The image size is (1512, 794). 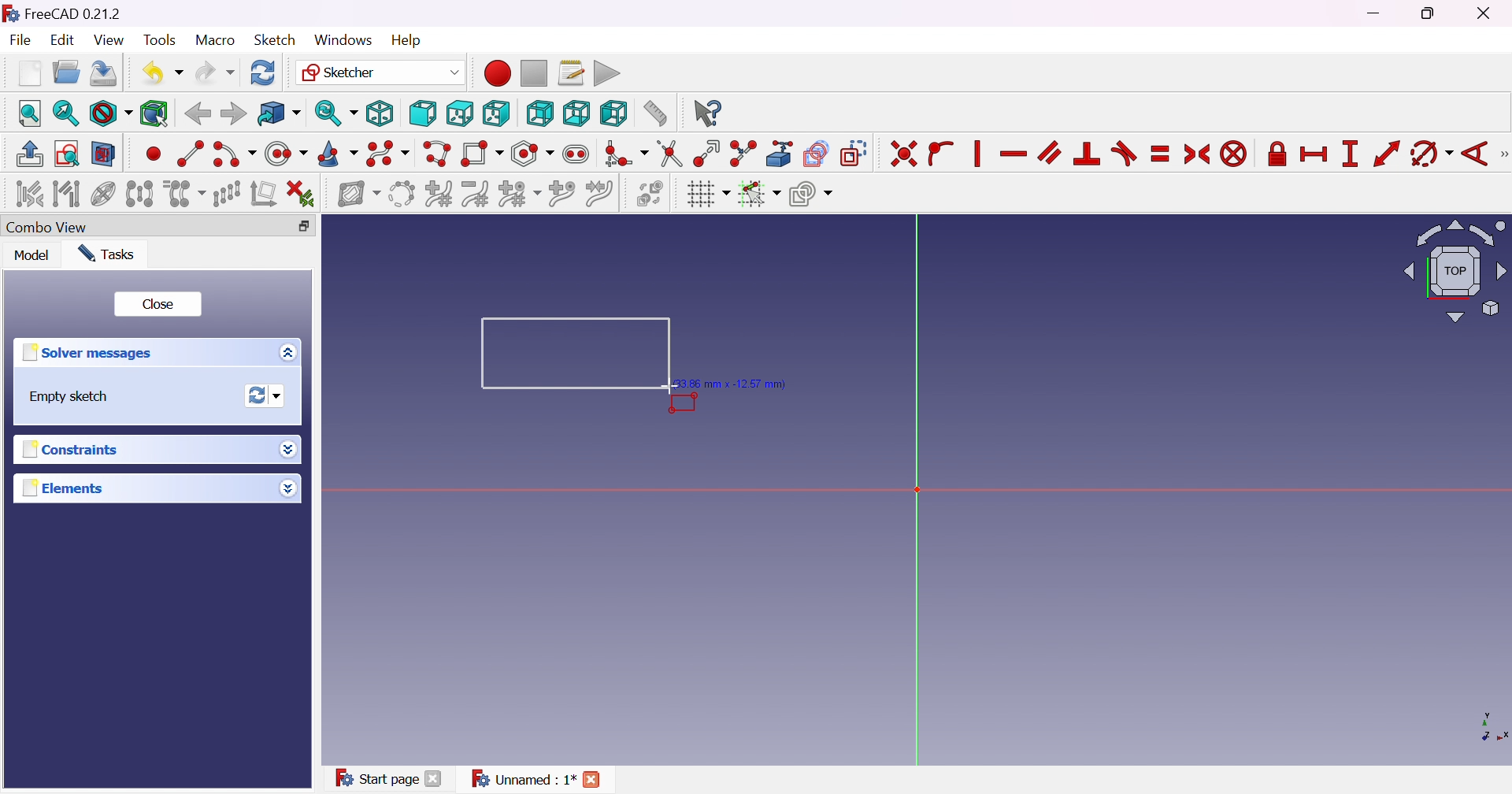 I want to click on Help, so click(x=407, y=40).